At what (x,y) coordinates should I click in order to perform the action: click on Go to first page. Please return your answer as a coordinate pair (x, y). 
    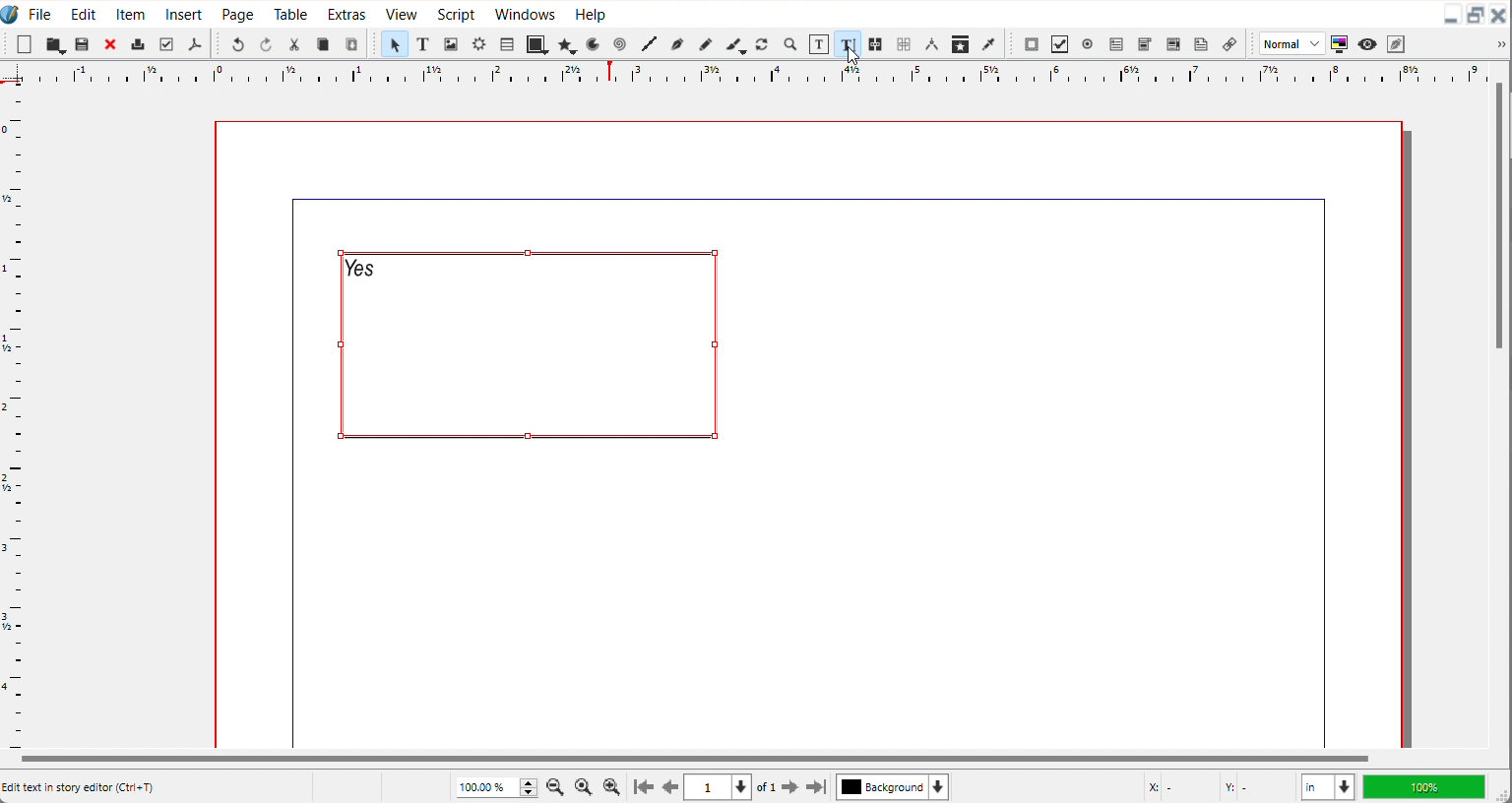
    Looking at the image, I should click on (644, 786).